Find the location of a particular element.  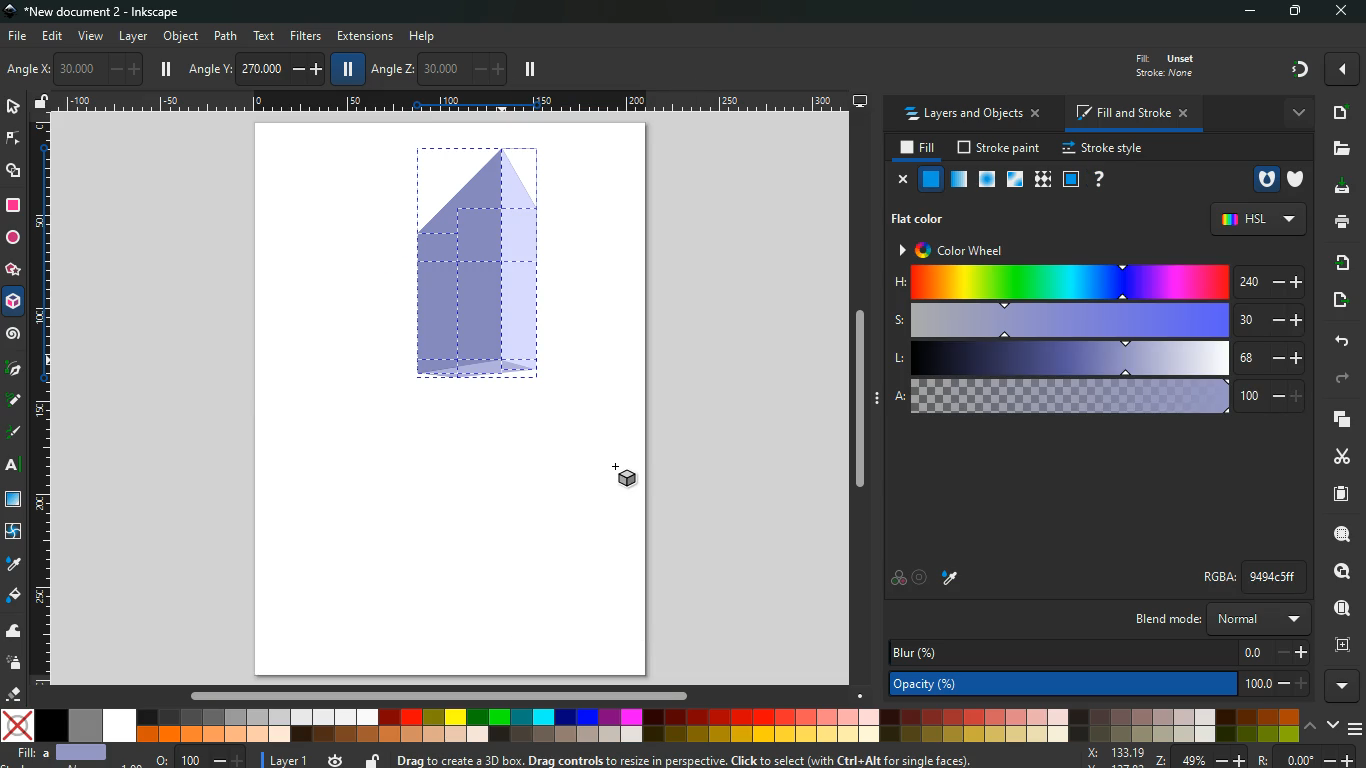

window is located at coordinates (15, 500).